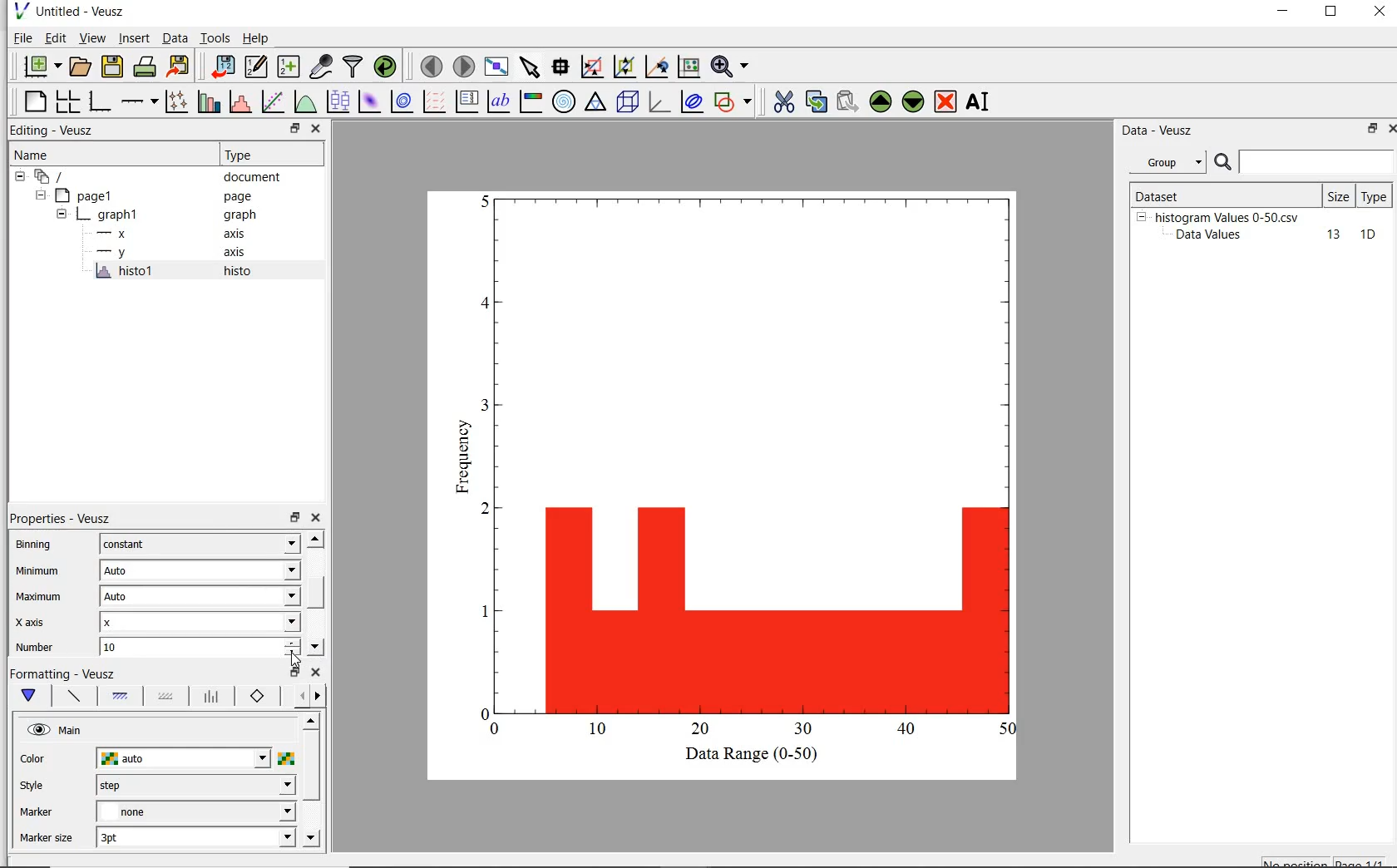  What do you see at coordinates (256, 66) in the screenshot?
I see `edit and create new datasets` at bounding box center [256, 66].